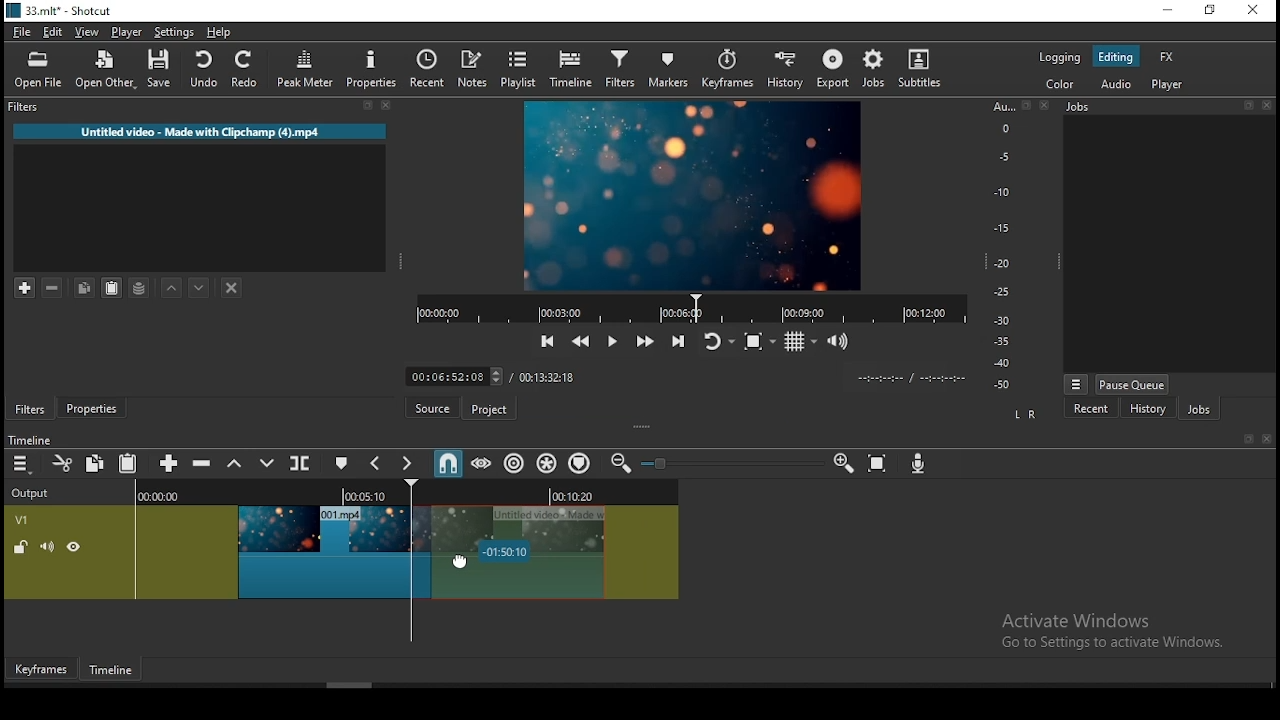  Describe the element at coordinates (207, 286) in the screenshot. I see `move filter down` at that location.